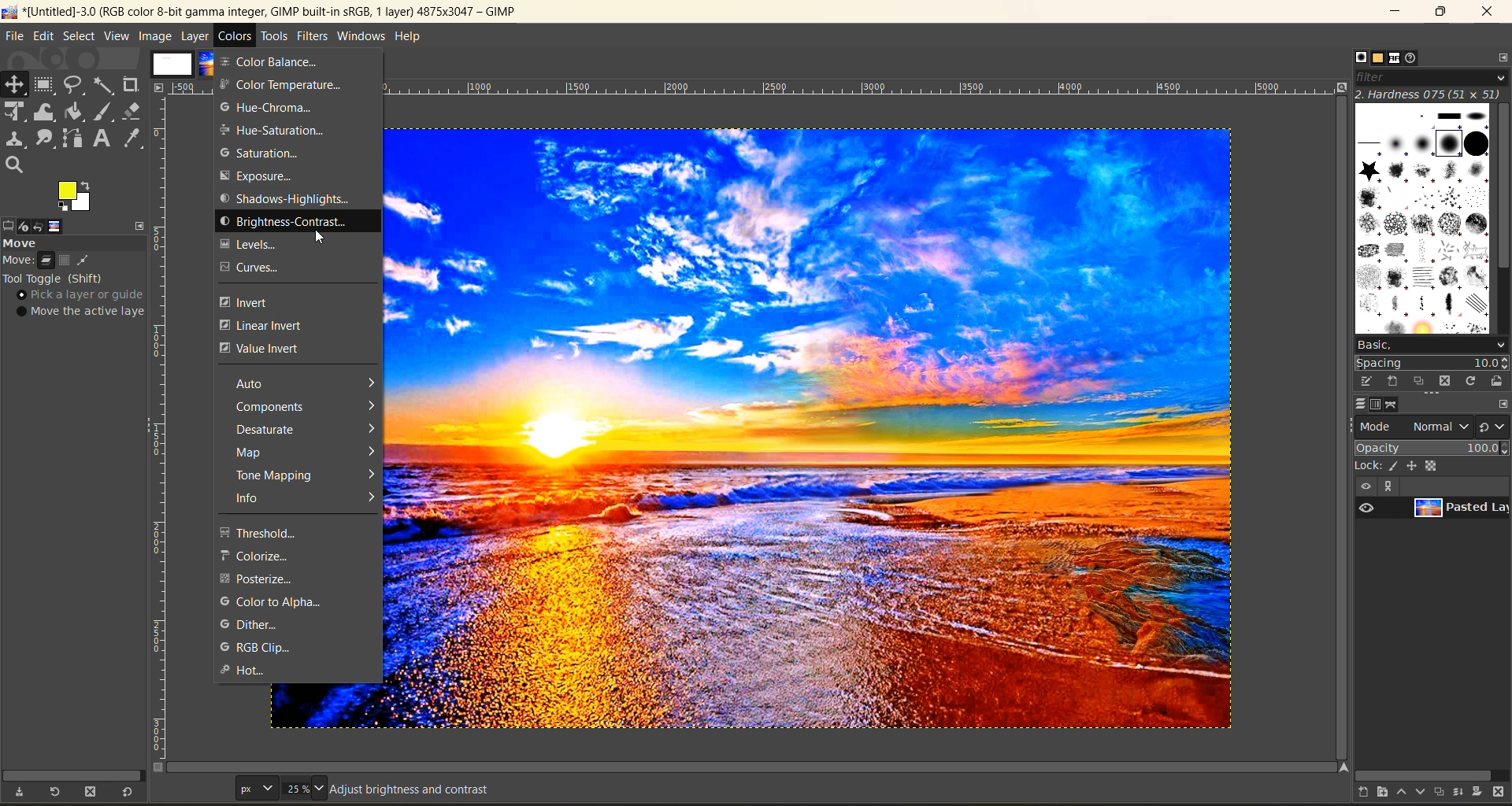  I want to click on active foreground and background color, so click(76, 197).